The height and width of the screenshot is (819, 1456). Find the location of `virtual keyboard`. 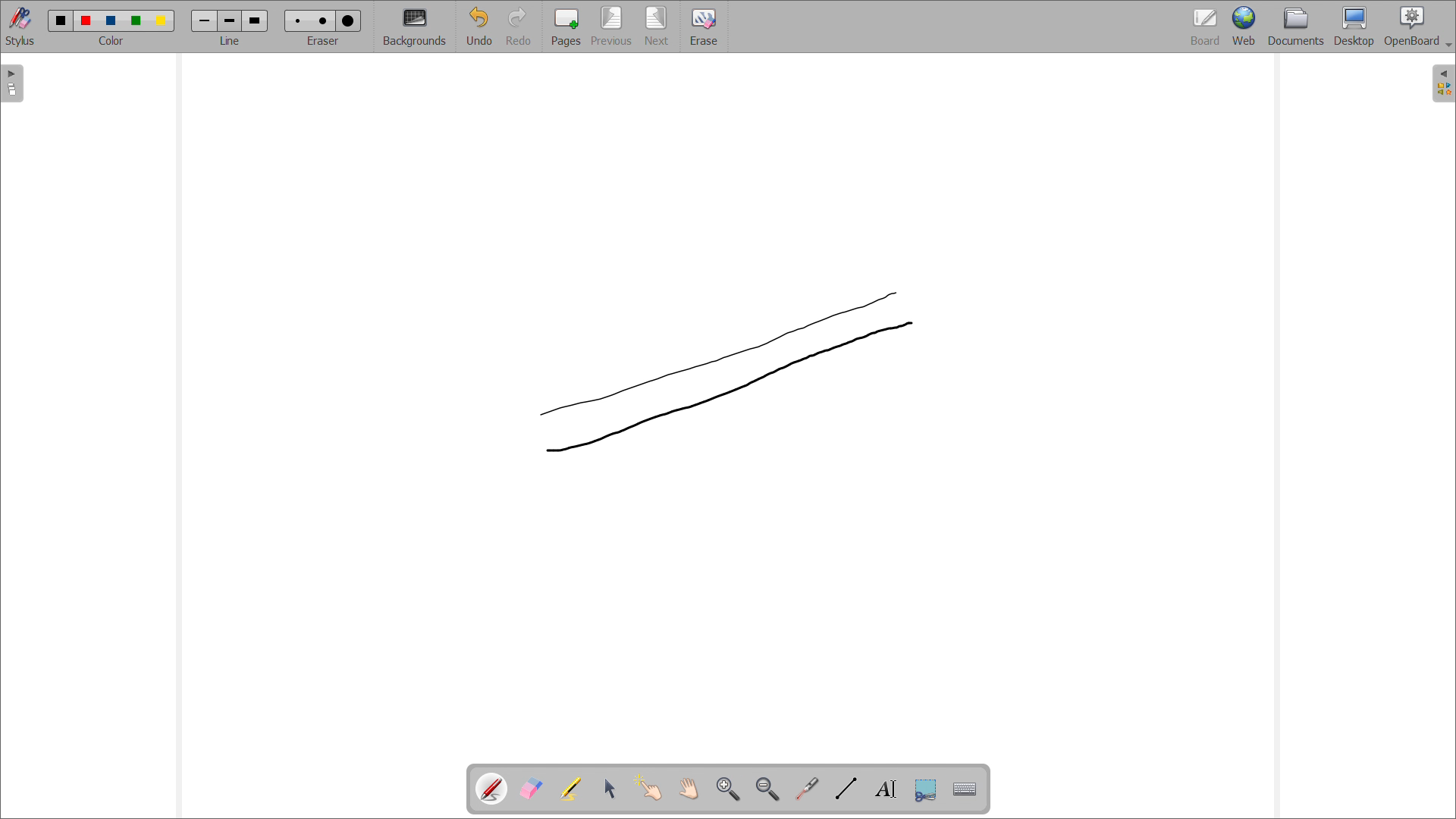

virtual keyboard is located at coordinates (966, 790).